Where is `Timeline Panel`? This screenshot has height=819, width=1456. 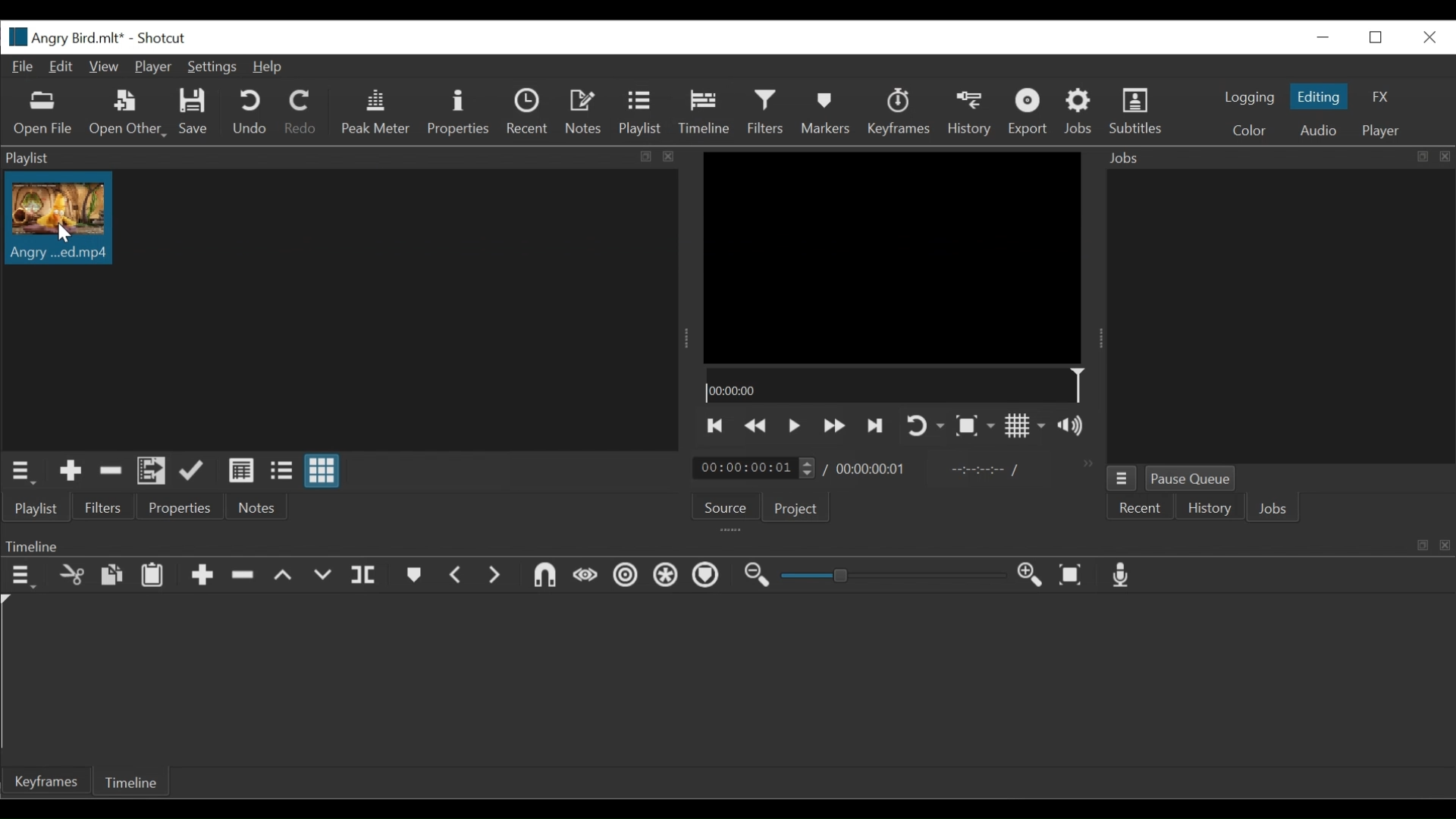
Timeline Panel is located at coordinates (723, 544).